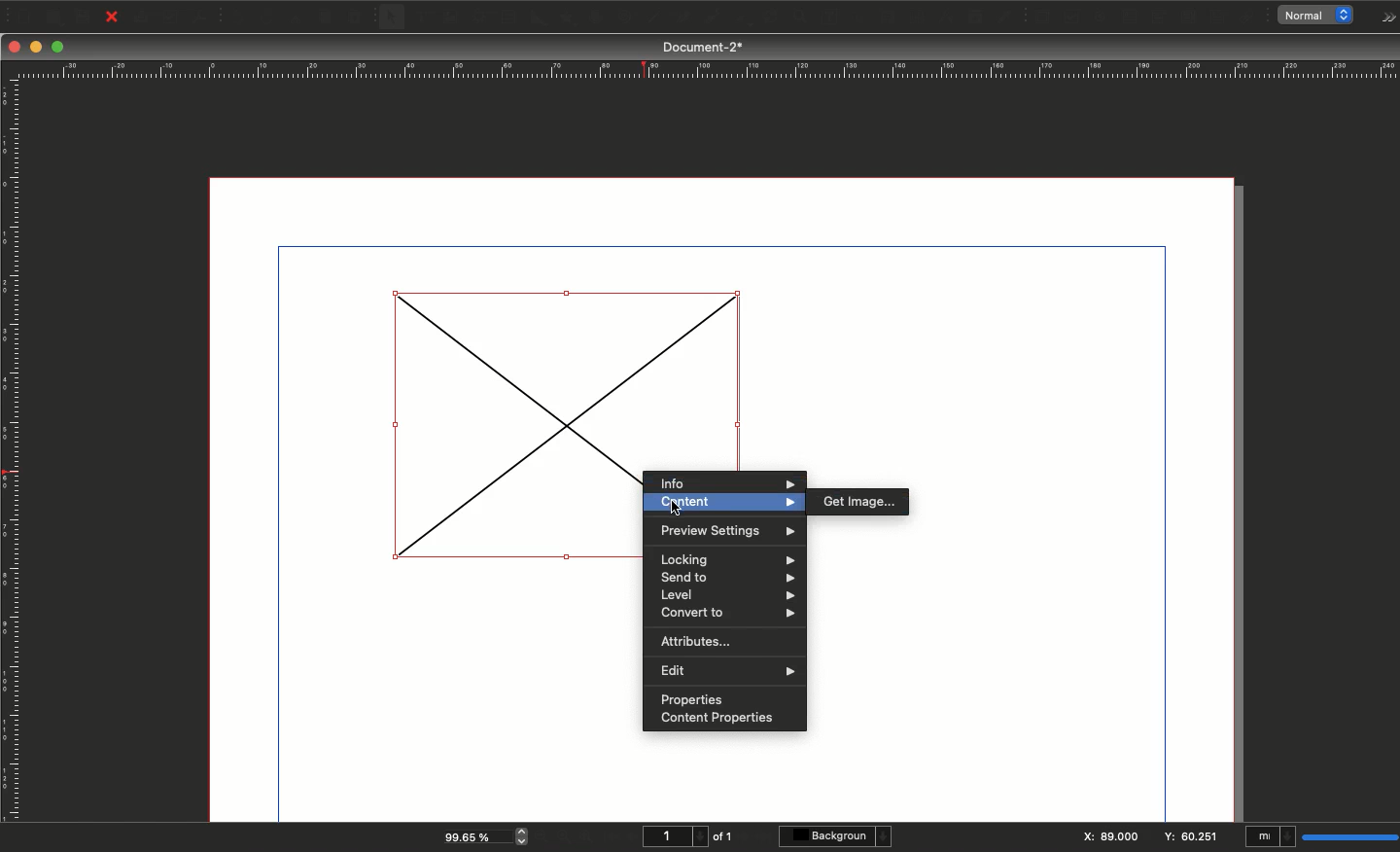 Image resolution: width=1400 pixels, height=852 pixels. Describe the element at coordinates (202, 17) in the screenshot. I see `Save as PDF` at that location.